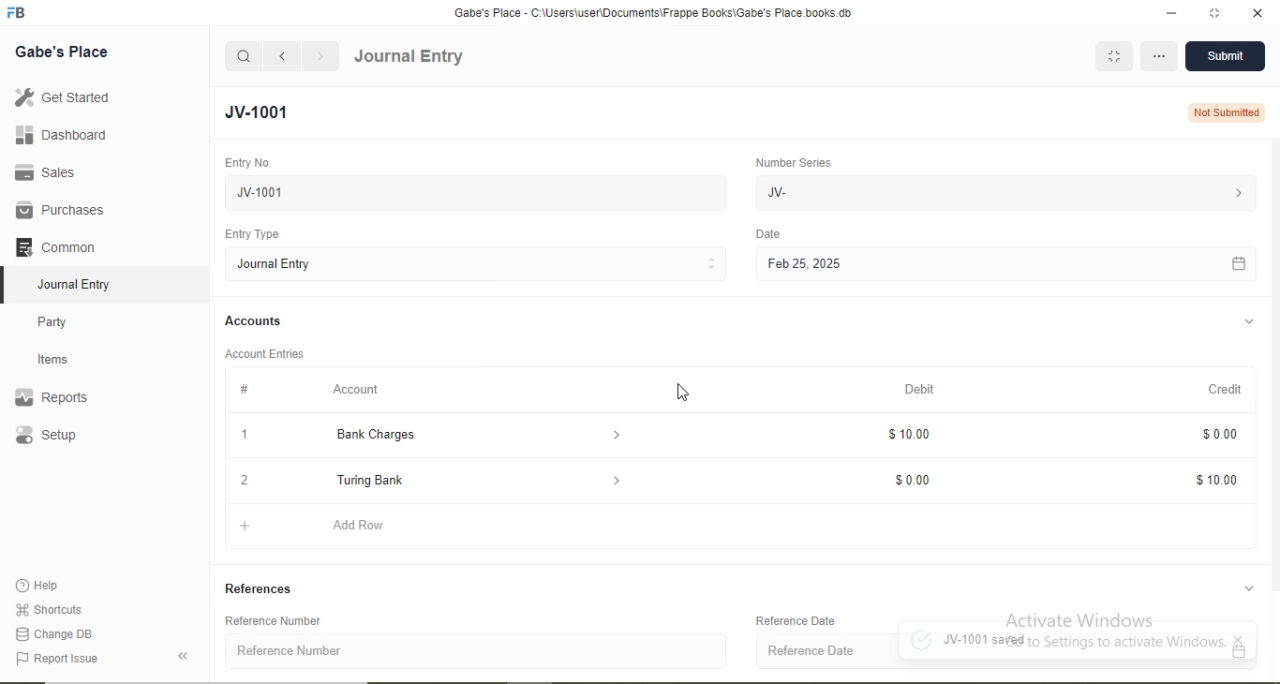  What do you see at coordinates (246, 389) in the screenshot?
I see `#` at bounding box center [246, 389].